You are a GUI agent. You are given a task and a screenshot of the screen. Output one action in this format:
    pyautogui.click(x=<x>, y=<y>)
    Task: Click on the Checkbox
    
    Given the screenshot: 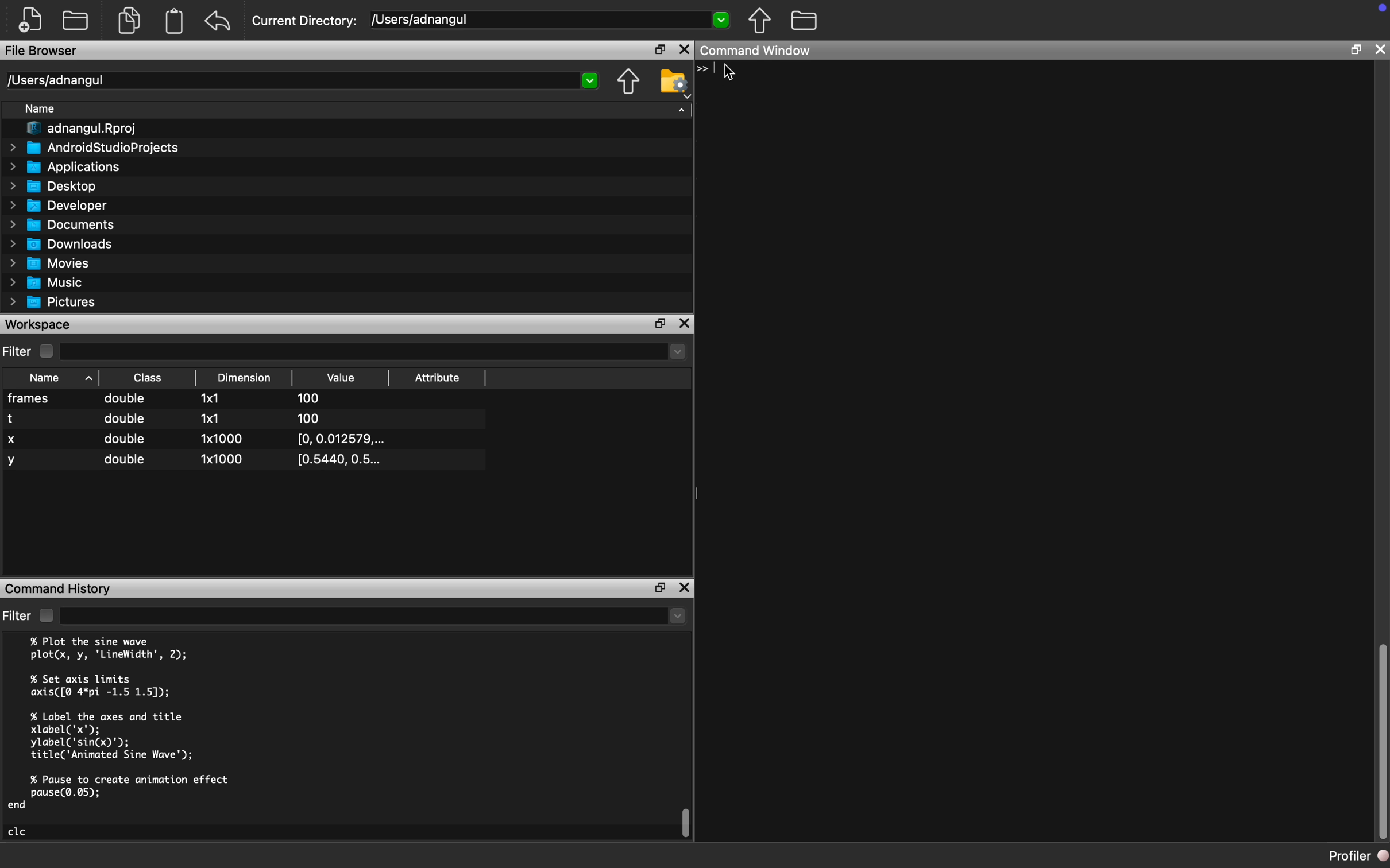 What is the action you would take?
    pyautogui.click(x=45, y=615)
    